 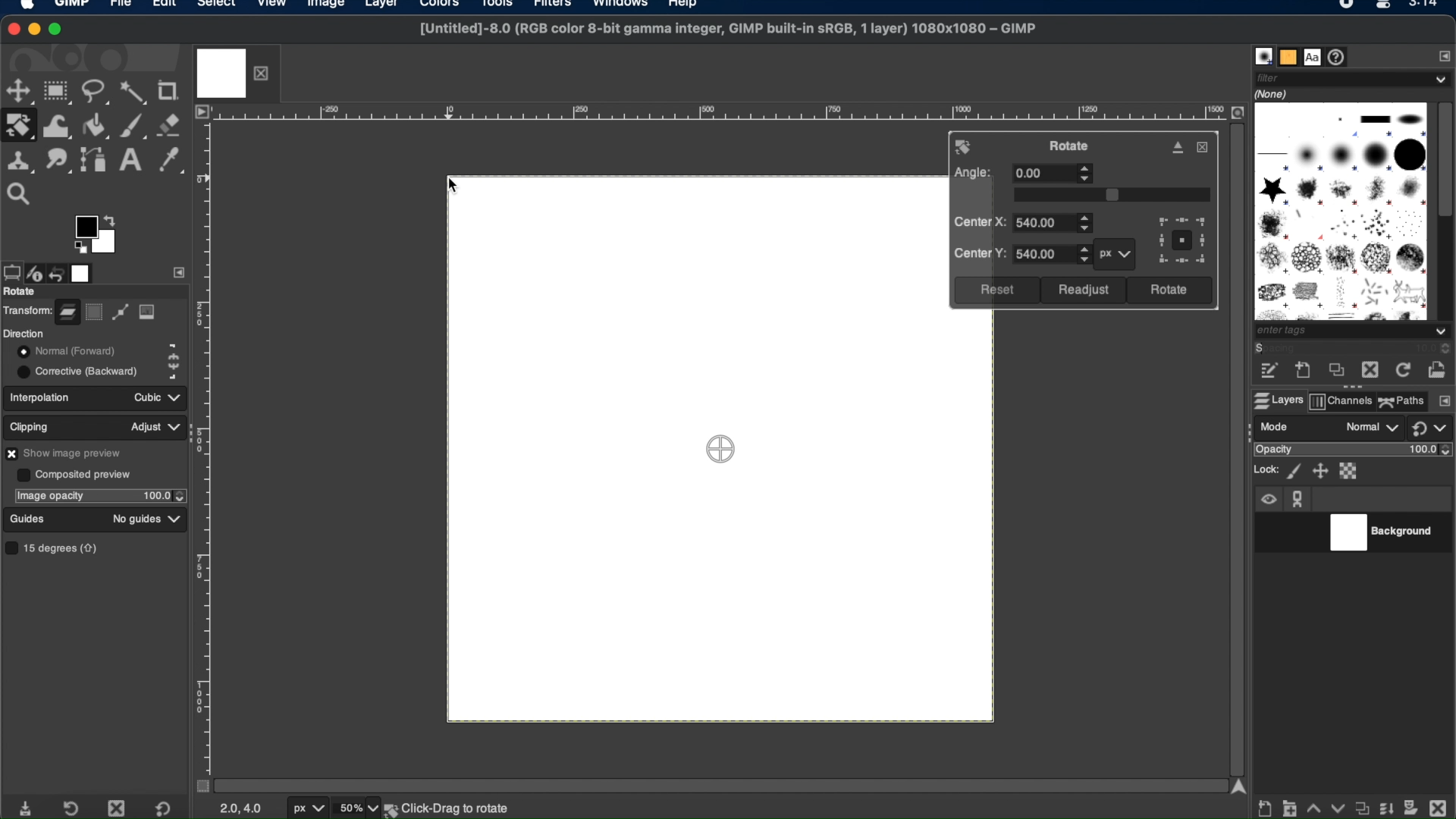 What do you see at coordinates (1084, 290) in the screenshot?
I see `readjust` at bounding box center [1084, 290].